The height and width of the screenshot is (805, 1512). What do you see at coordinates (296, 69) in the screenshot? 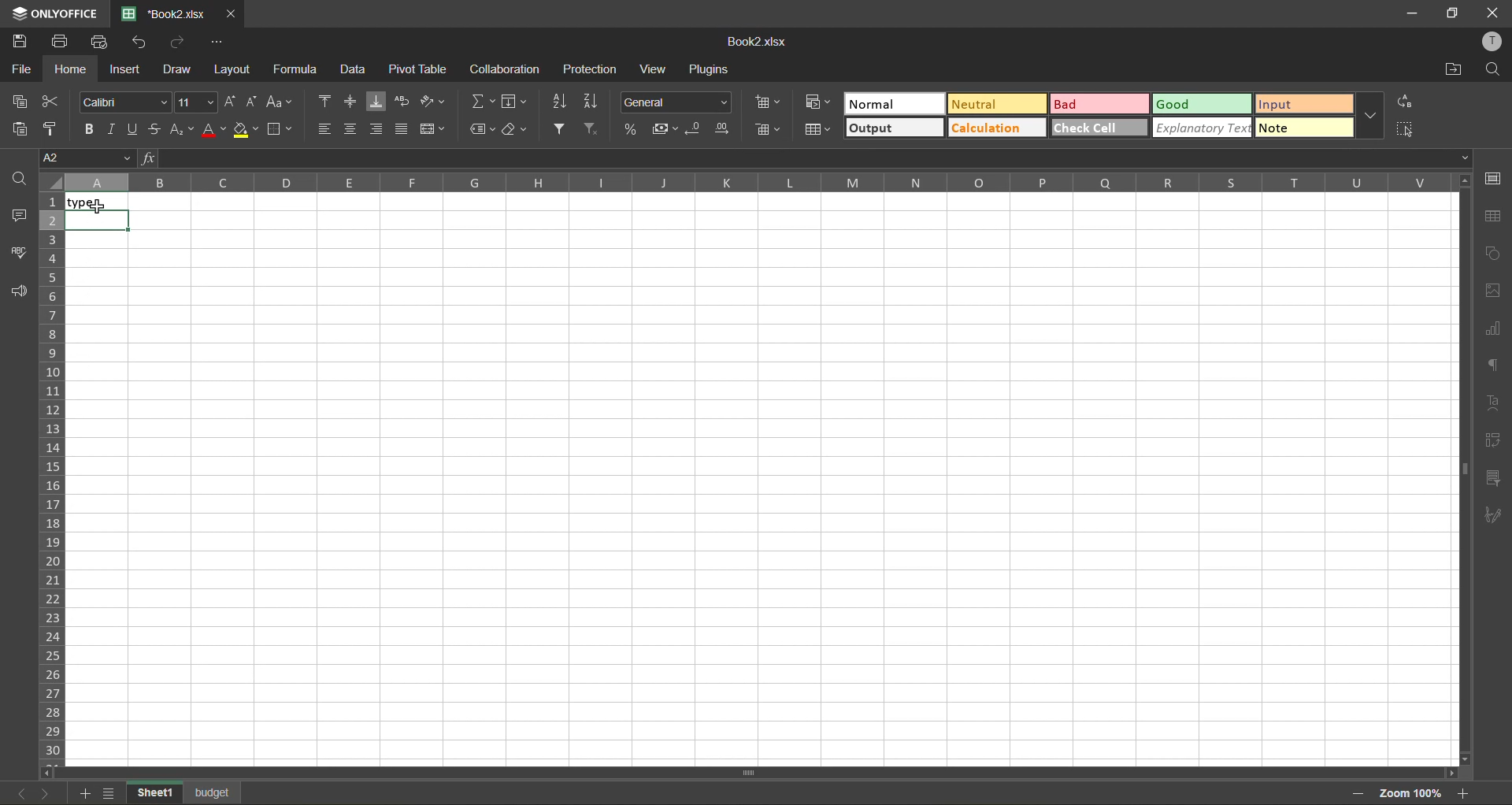
I see `formula` at bounding box center [296, 69].